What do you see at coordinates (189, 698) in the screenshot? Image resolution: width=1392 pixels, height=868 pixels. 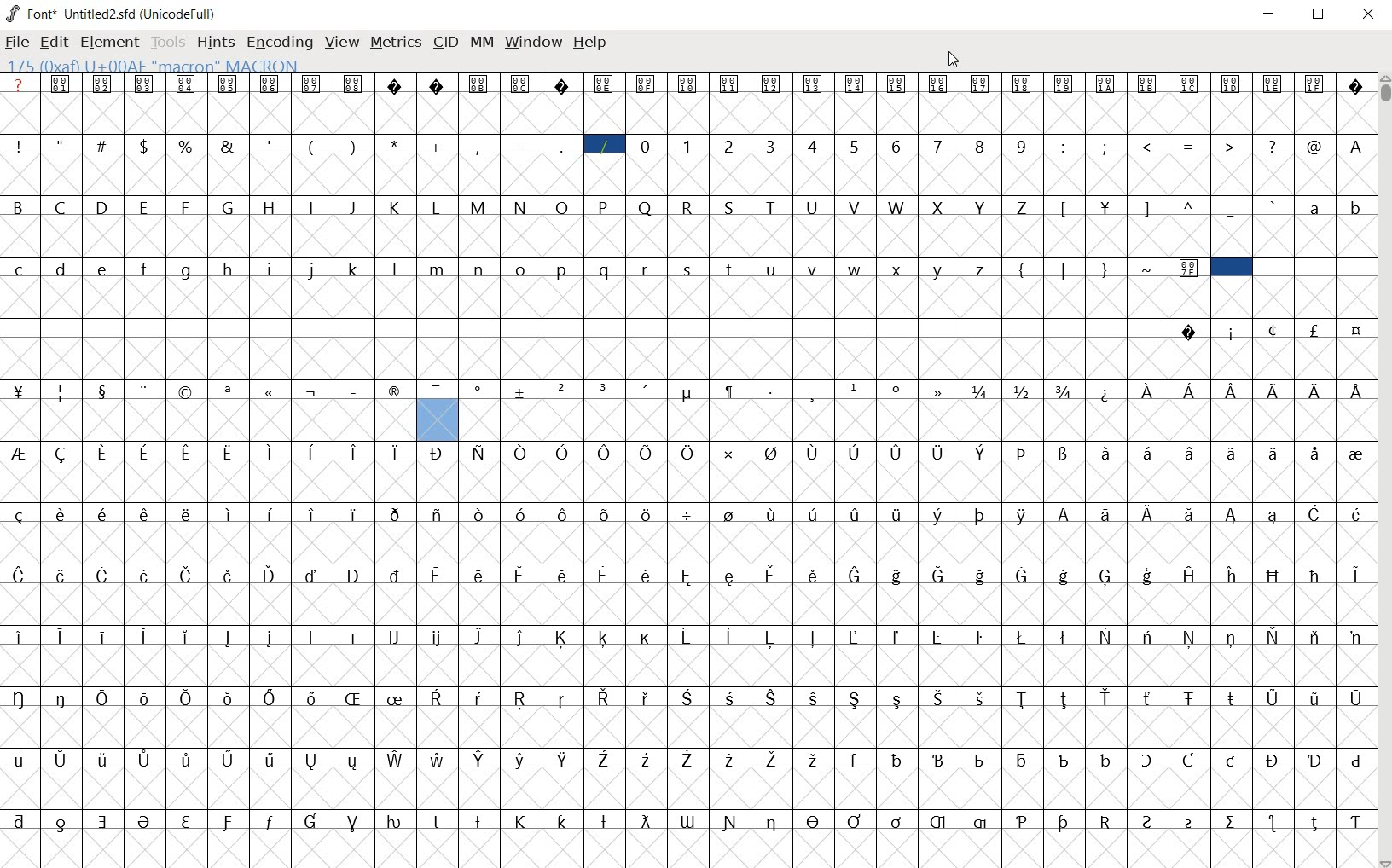 I see `Symbol` at bounding box center [189, 698].